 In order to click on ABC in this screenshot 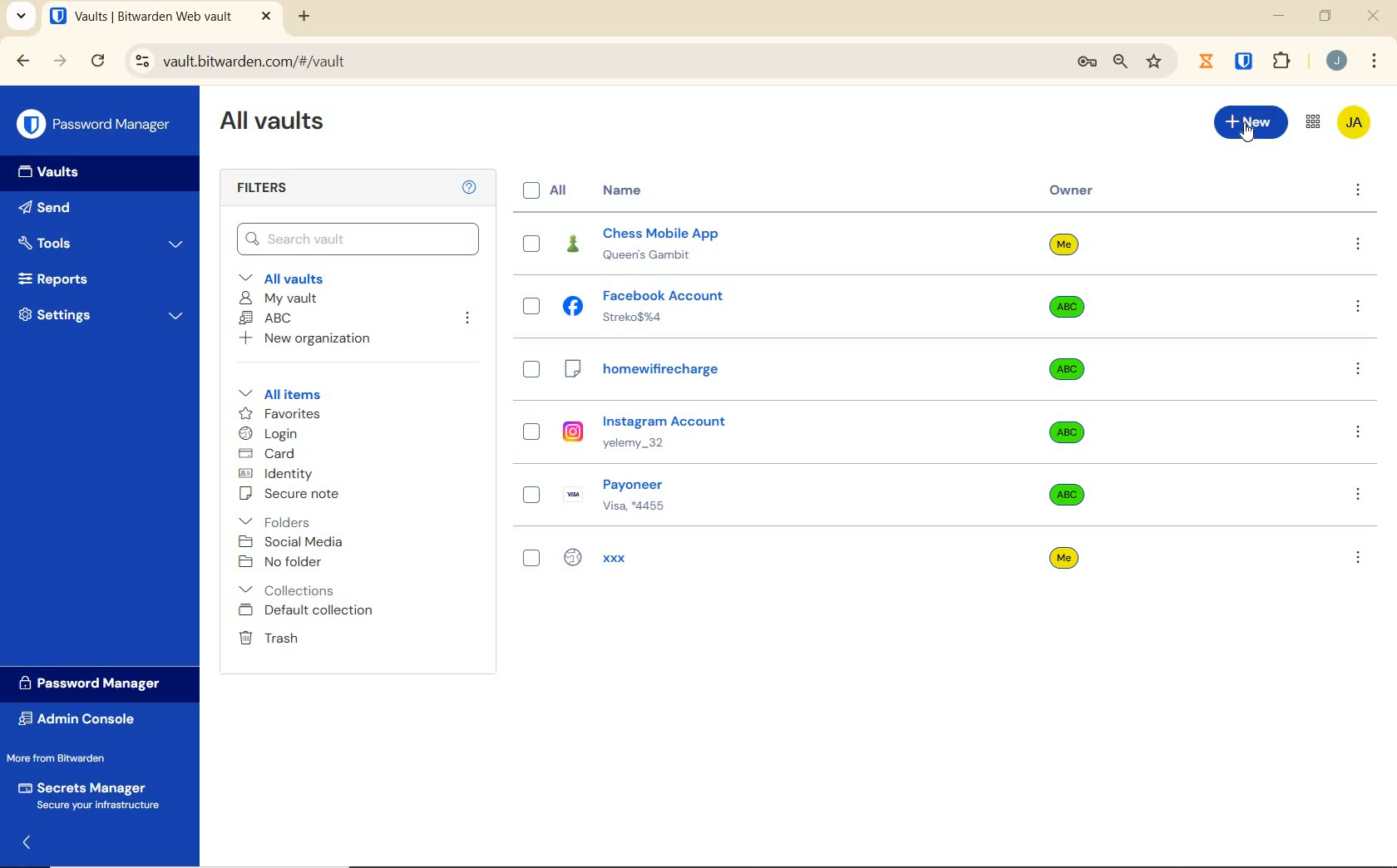, I will do `click(269, 318)`.